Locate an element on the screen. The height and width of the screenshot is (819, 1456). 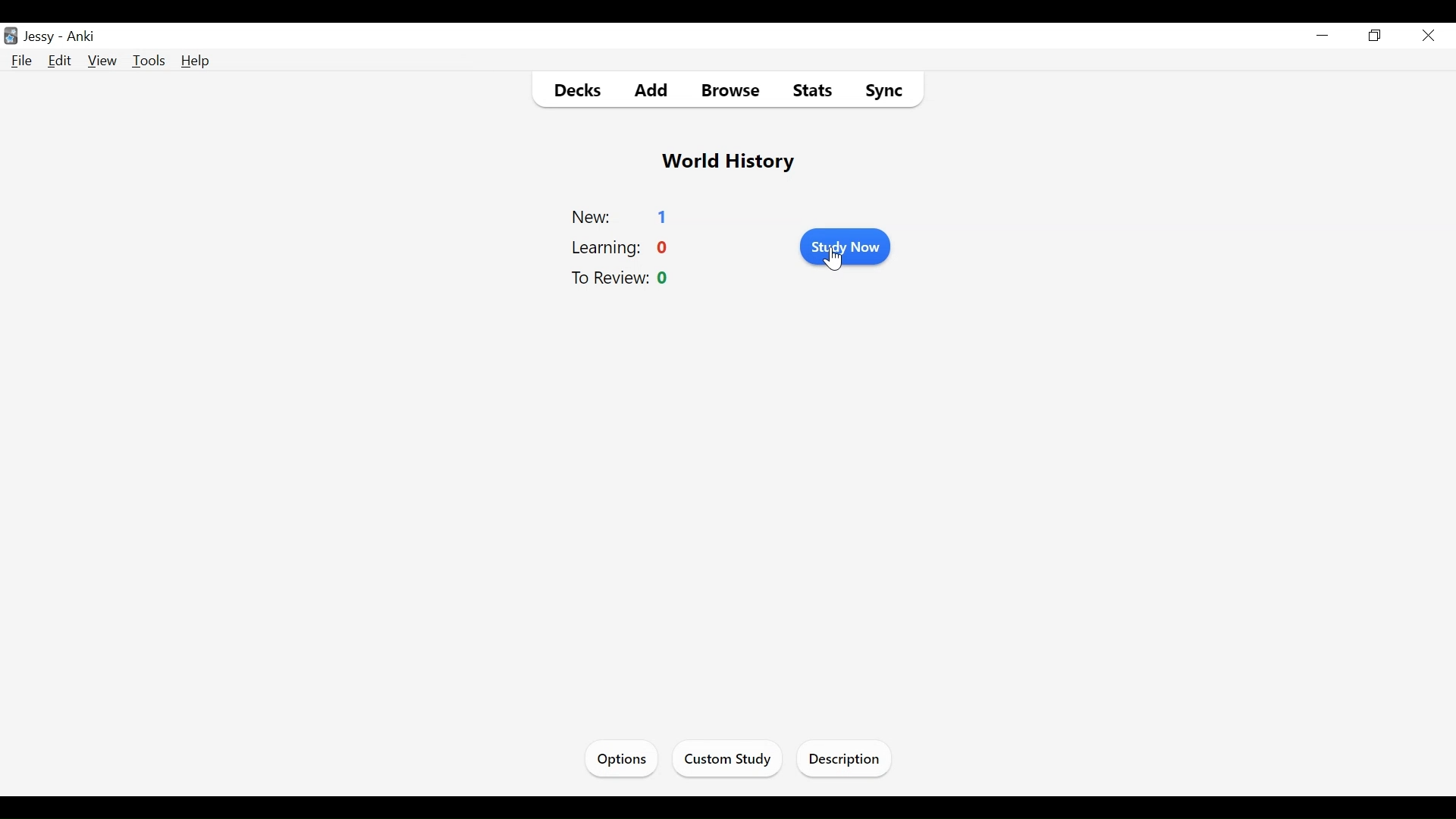
To Review: 0 is located at coordinates (624, 279).